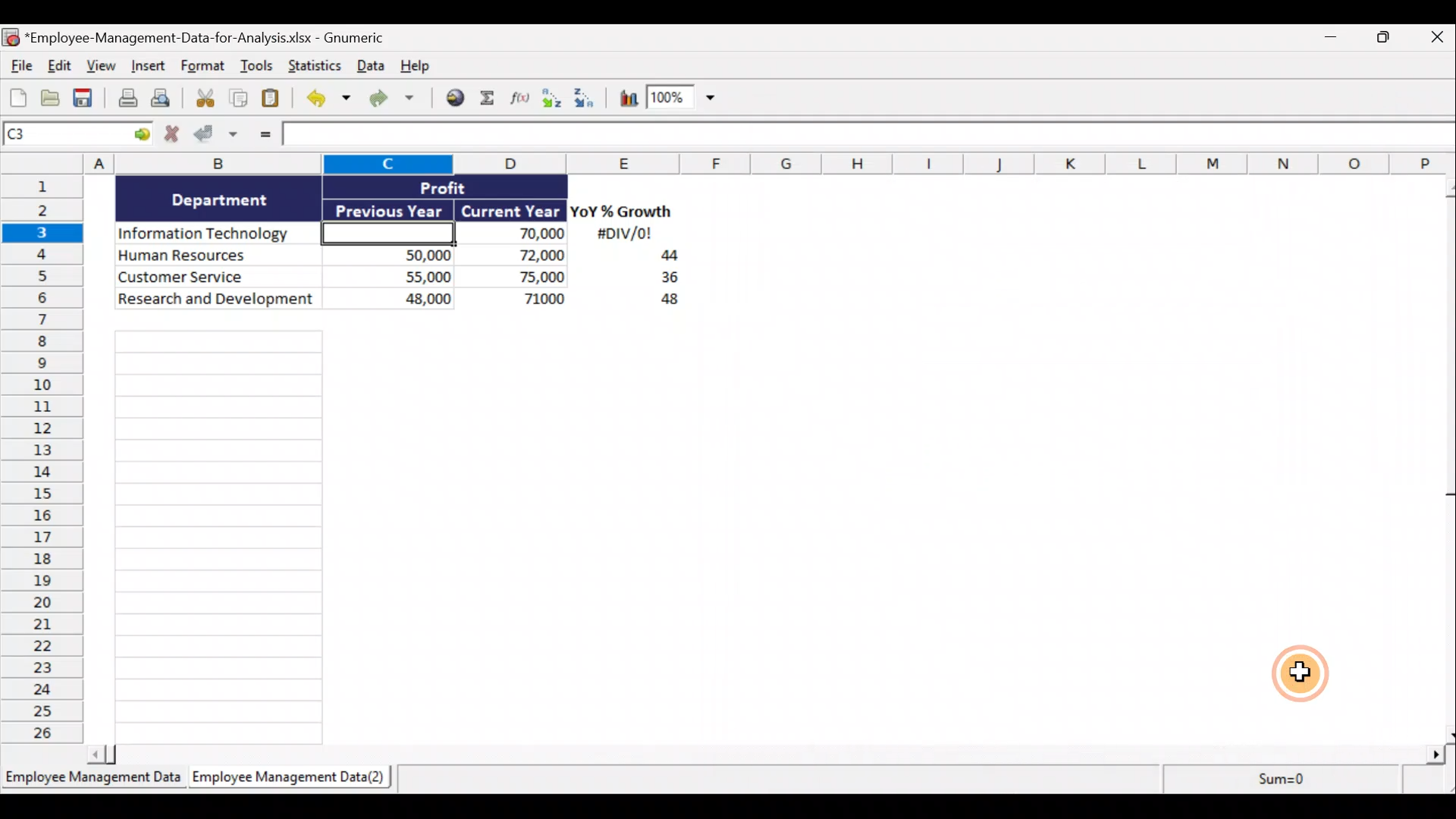 Image resolution: width=1456 pixels, height=819 pixels. Describe the element at coordinates (84, 99) in the screenshot. I see `Save current workbook` at that location.